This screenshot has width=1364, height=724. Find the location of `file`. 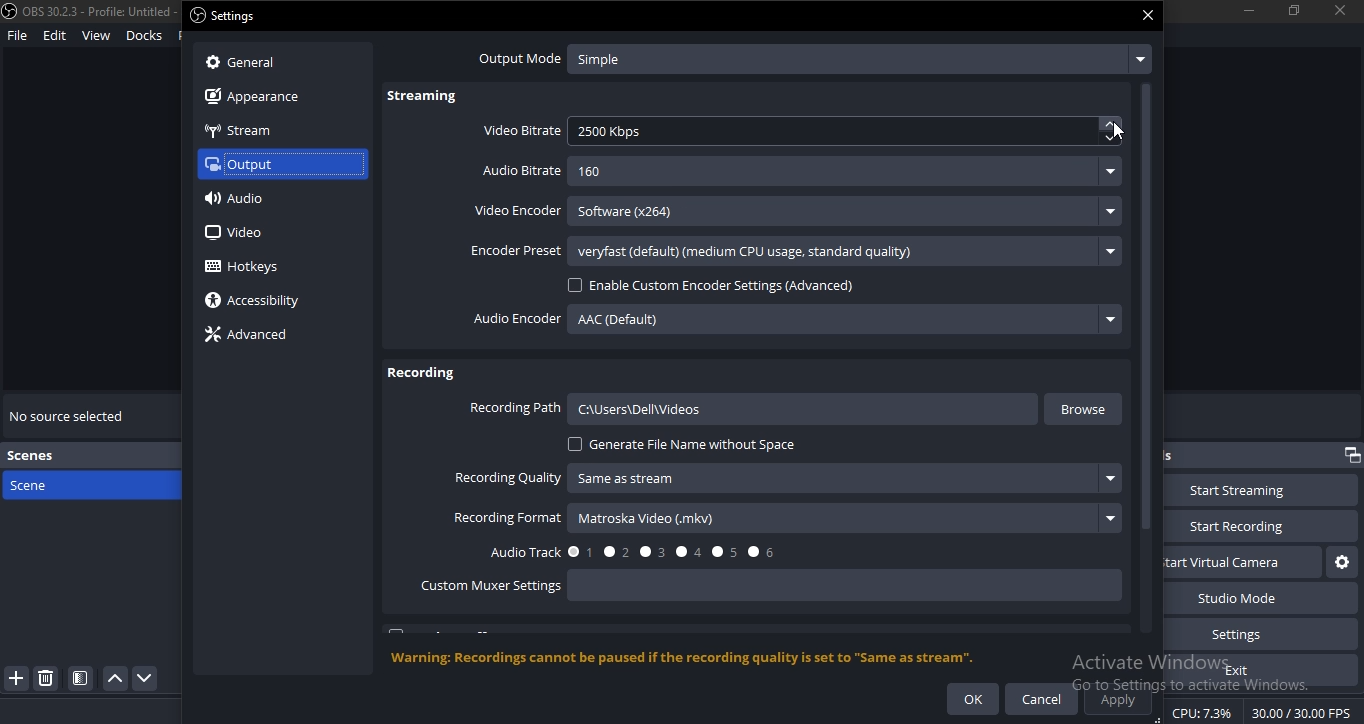

file is located at coordinates (17, 37).